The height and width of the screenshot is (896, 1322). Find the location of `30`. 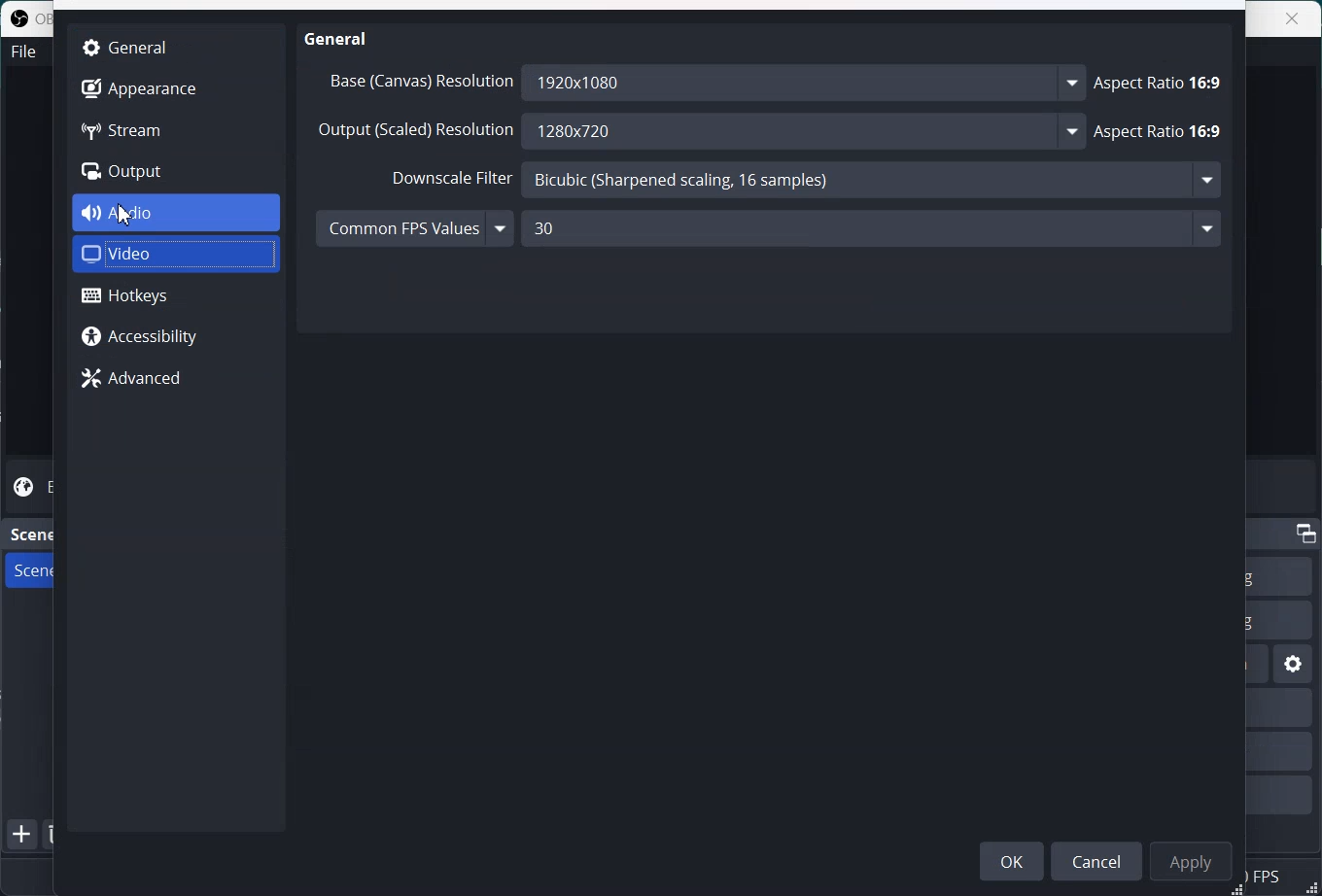

30 is located at coordinates (873, 229).